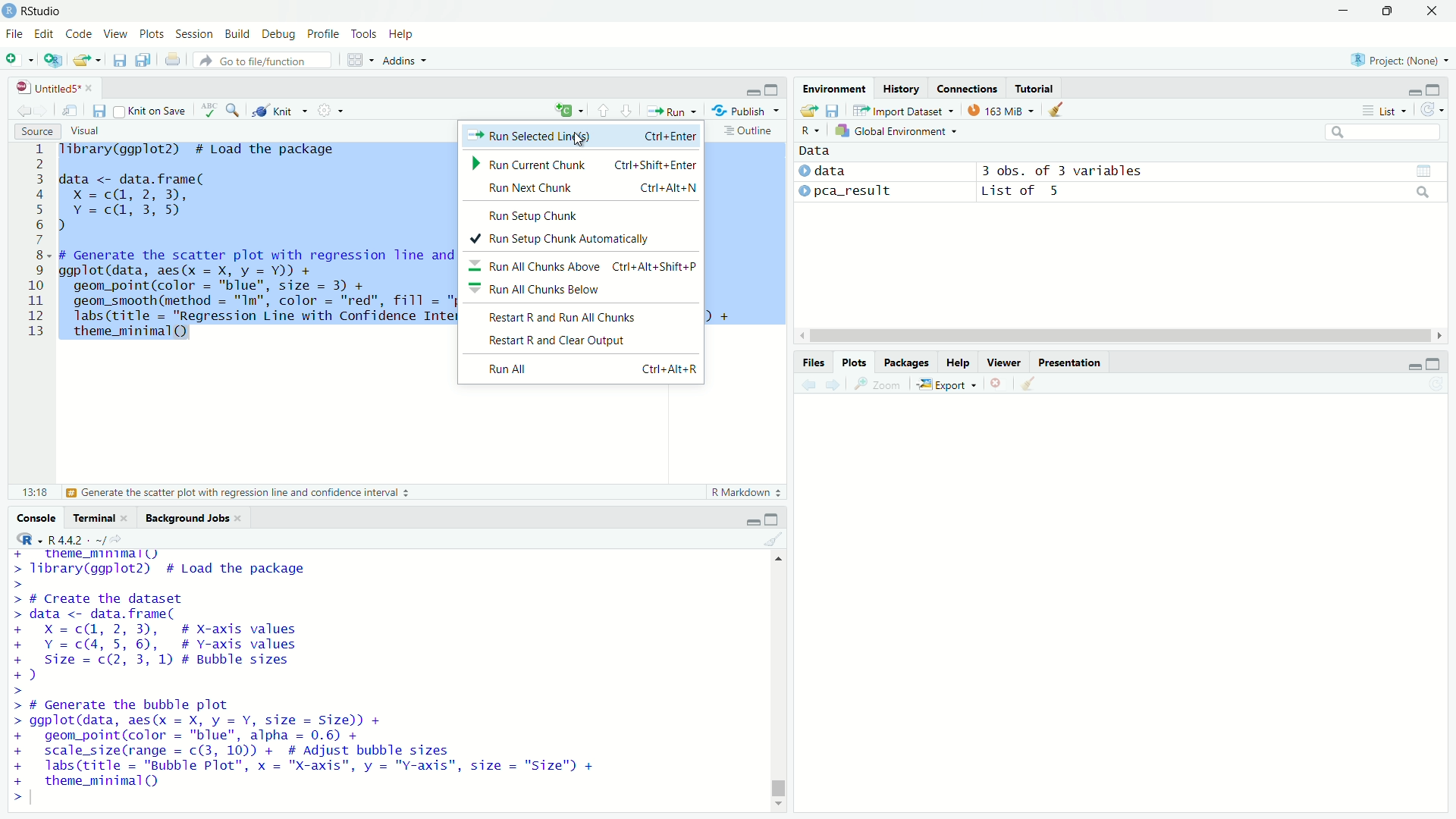 The image size is (1456, 819). What do you see at coordinates (77, 60) in the screenshot?
I see `Open an existing file` at bounding box center [77, 60].